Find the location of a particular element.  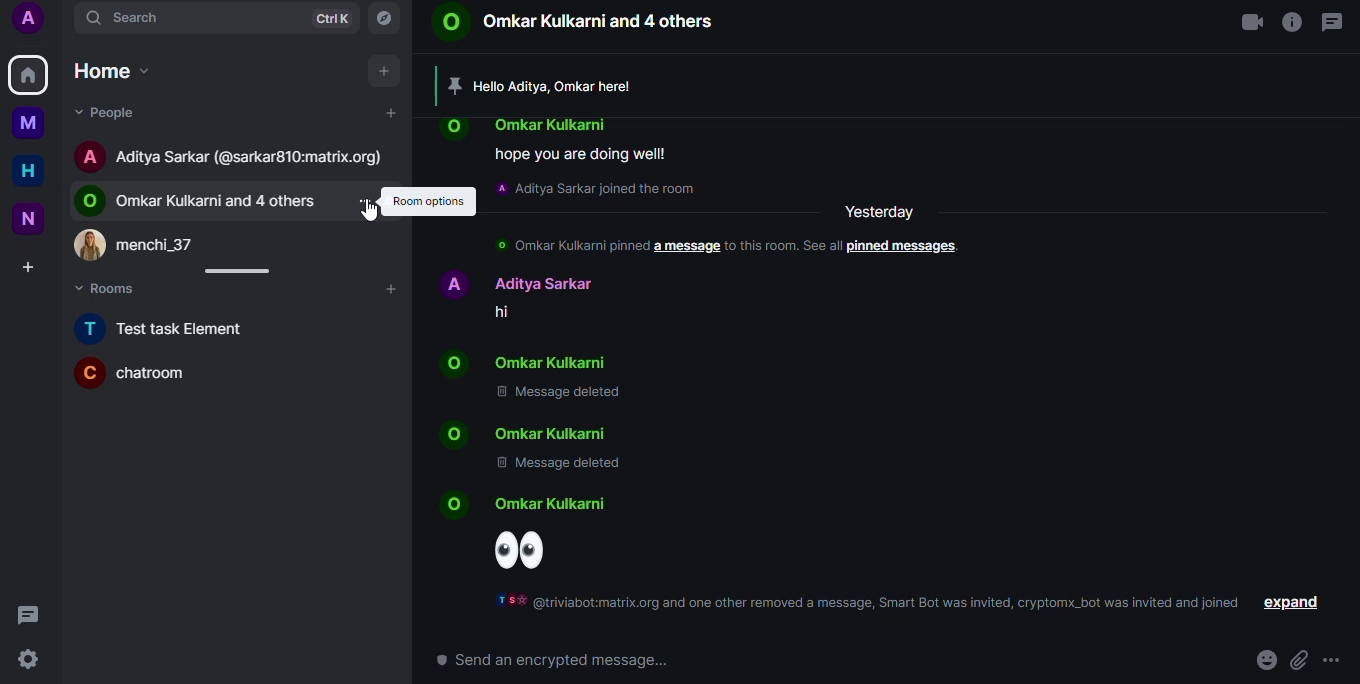

Rooms is located at coordinates (115, 288).